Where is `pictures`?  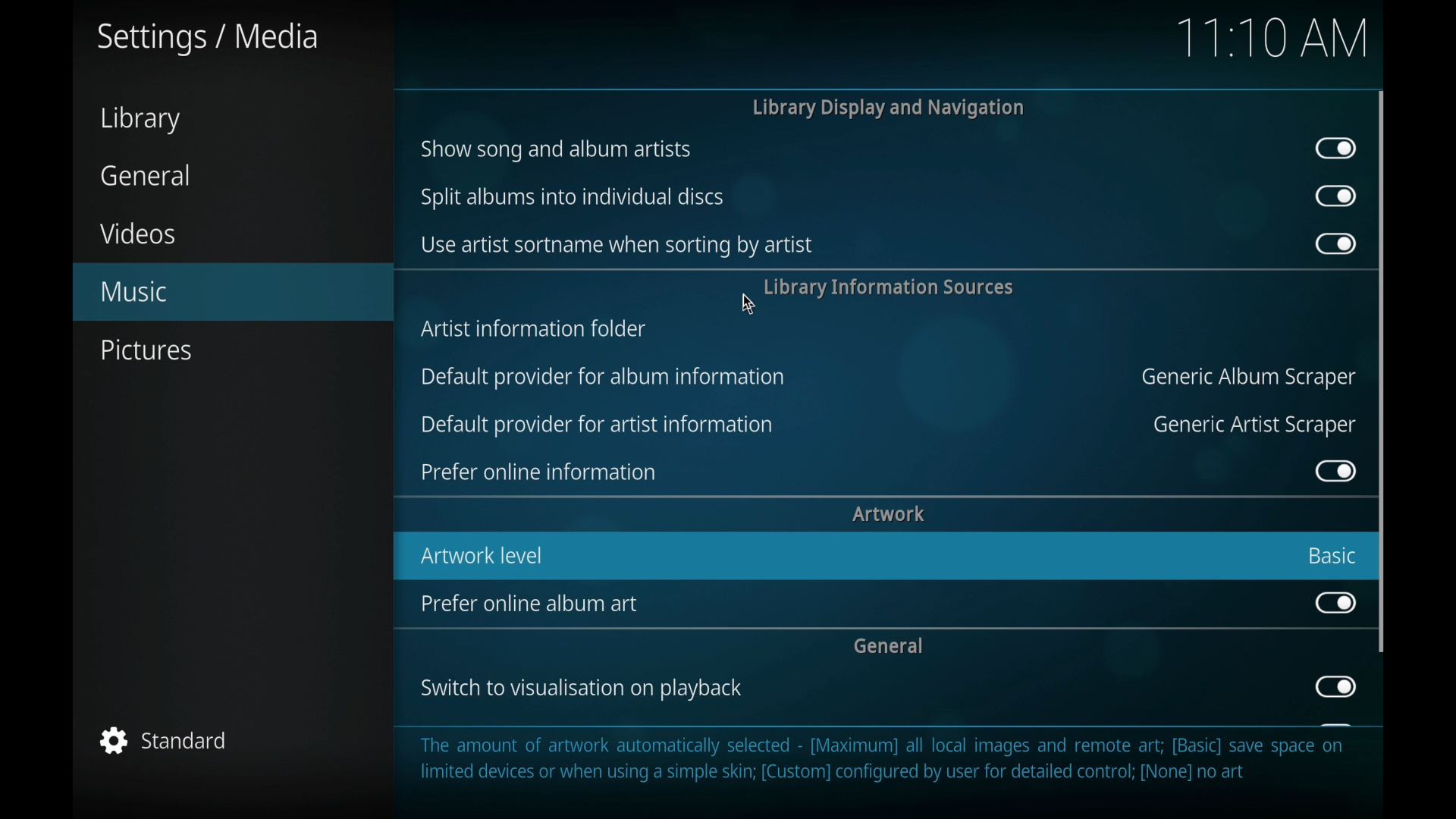
pictures is located at coordinates (146, 350).